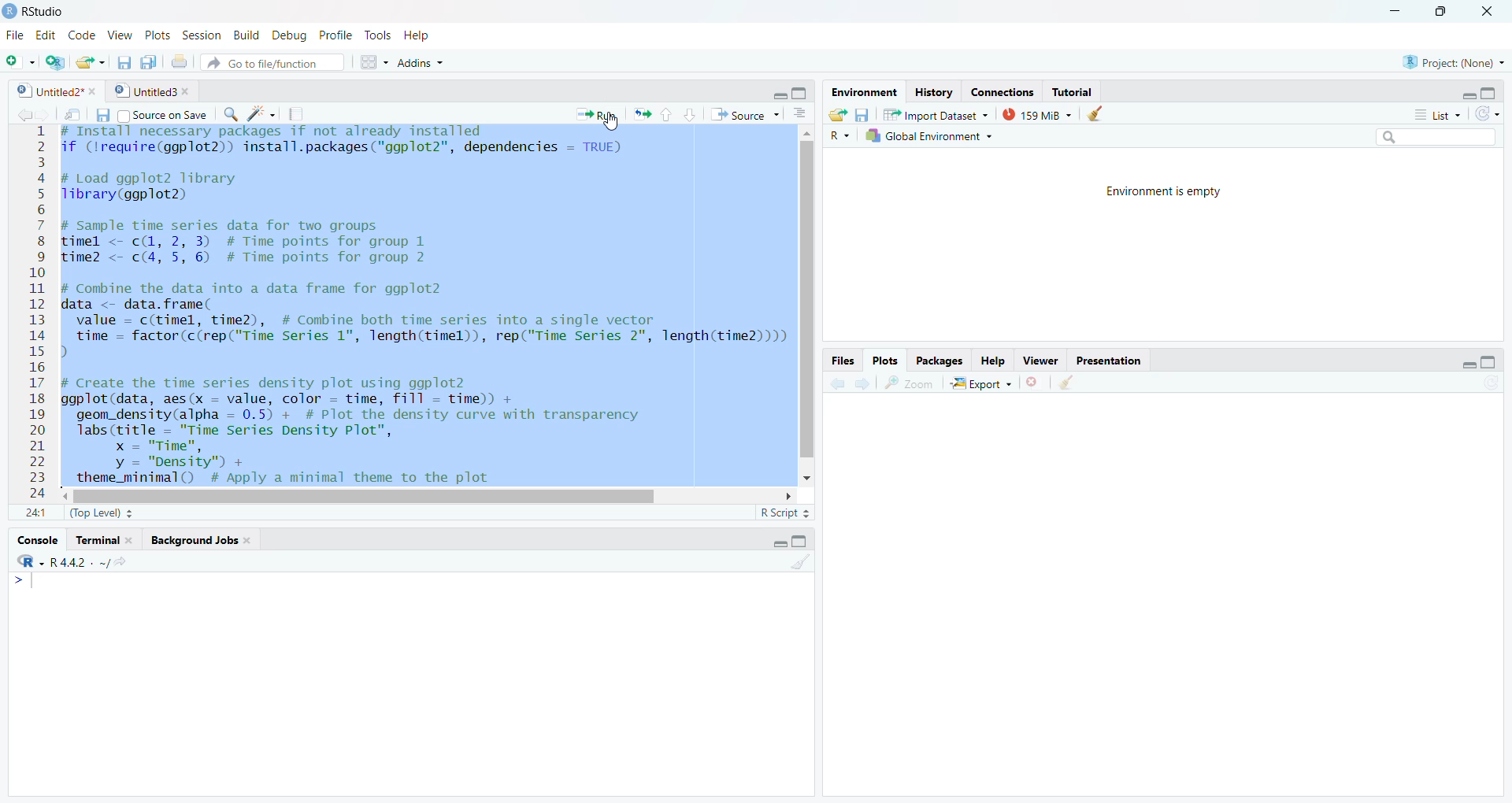 The width and height of the screenshot is (1512, 803). Describe the element at coordinates (1397, 9) in the screenshot. I see `Minimize` at that location.